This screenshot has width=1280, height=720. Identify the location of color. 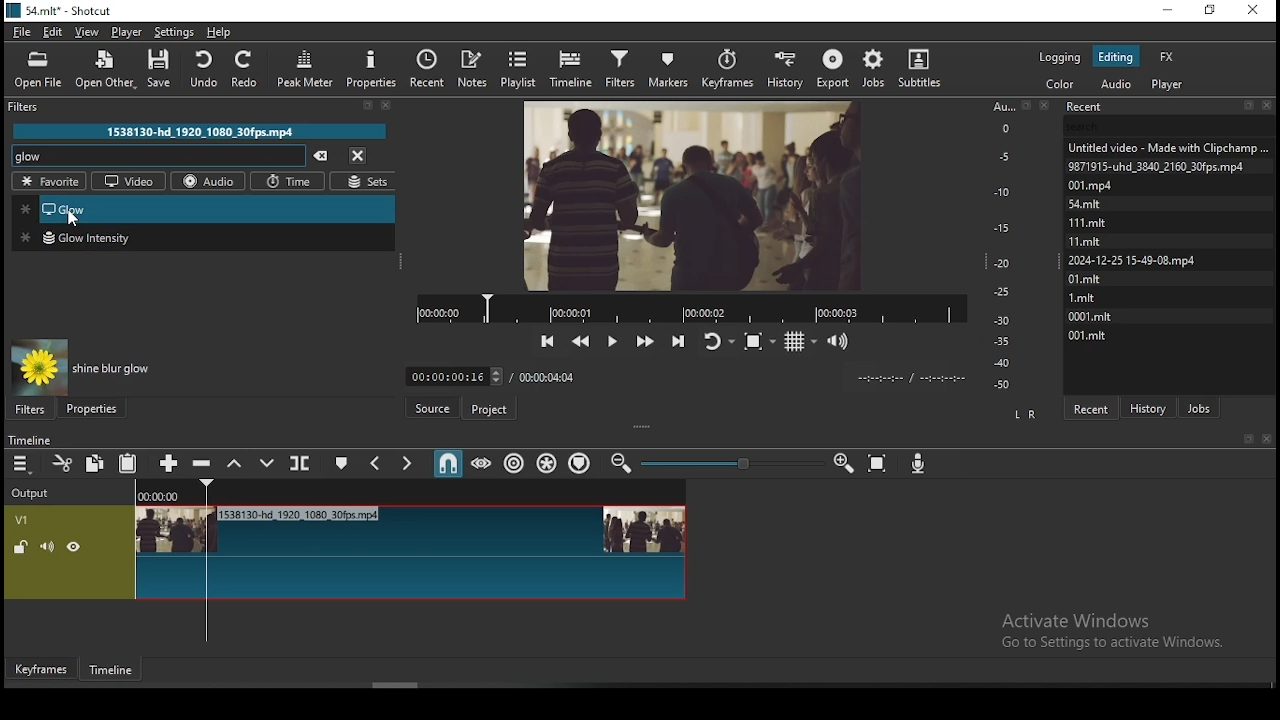
(1061, 84).